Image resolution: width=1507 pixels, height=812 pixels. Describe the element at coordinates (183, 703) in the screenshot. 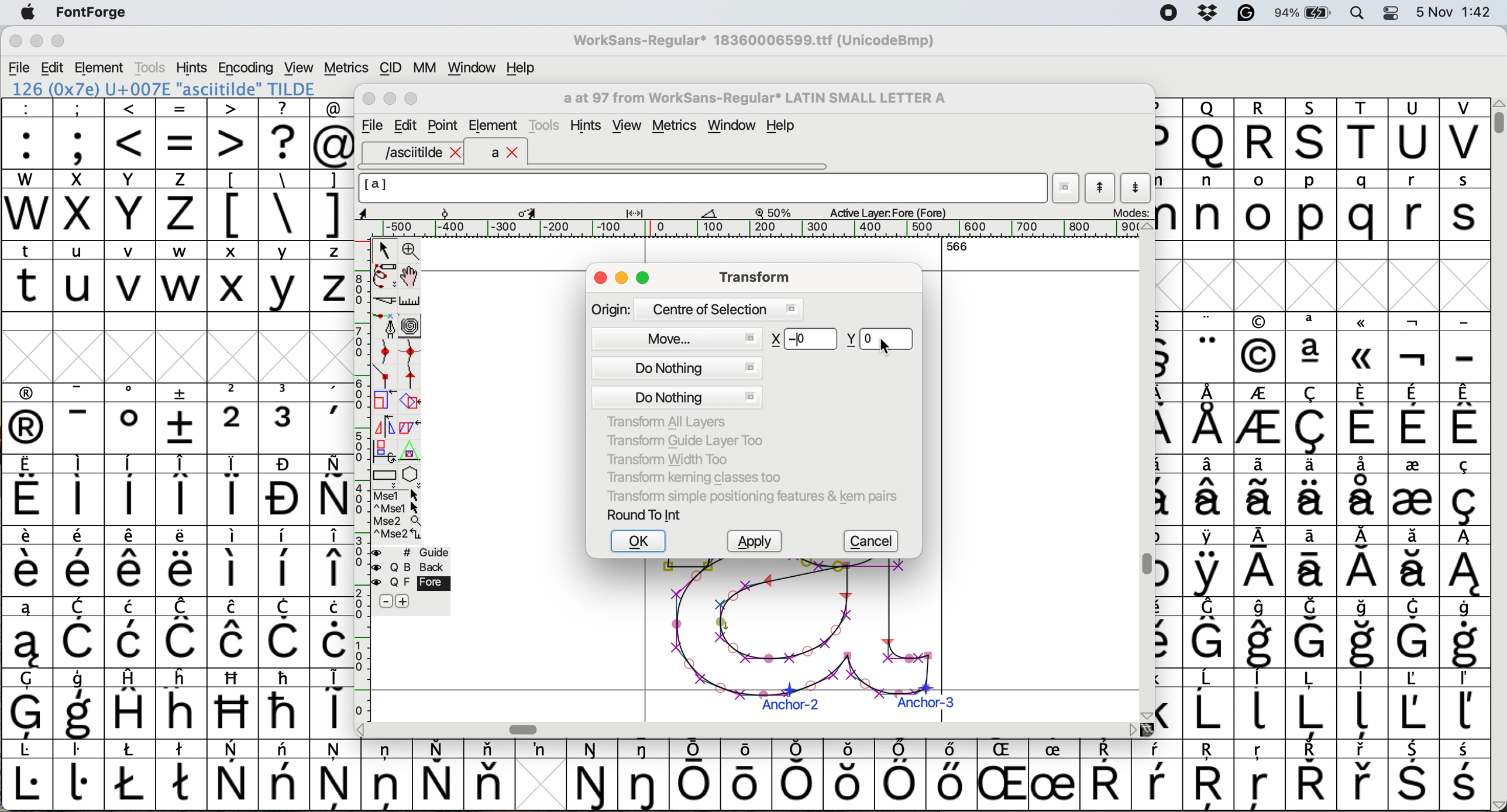

I see `` at that location.